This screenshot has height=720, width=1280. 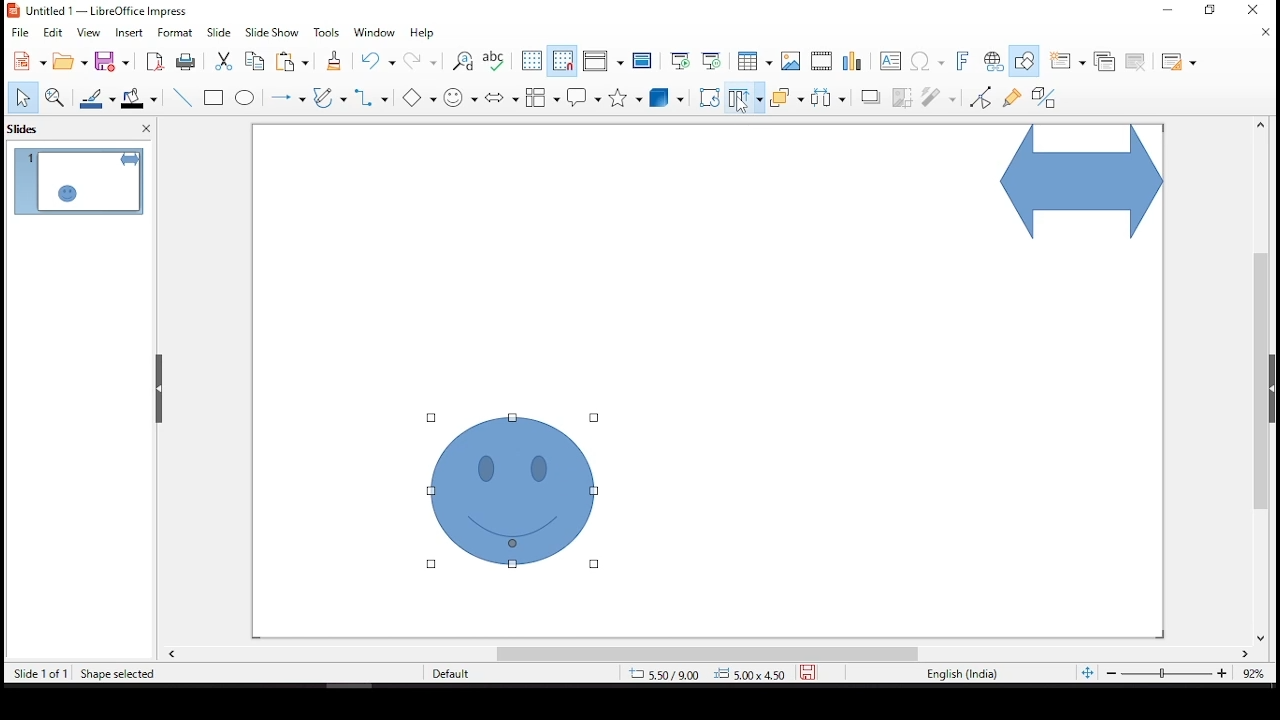 What do you see at coordinates (993, 62) in the screenshot?
I see `insert hyperlink` at bounding box center [993, 62].